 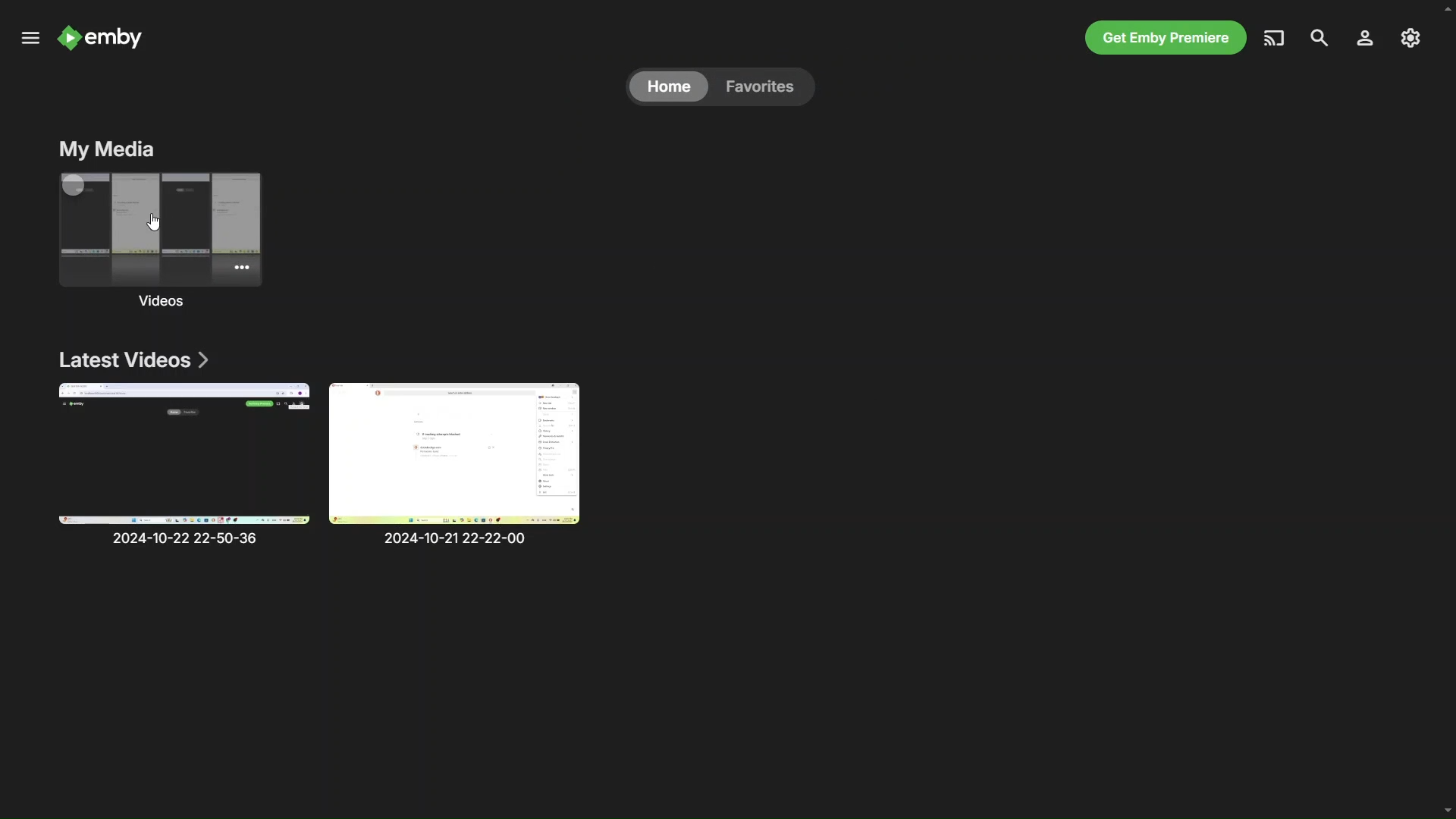 What do you see at coordinates (187, 465) in the screenshot?
I see `video` at bounding box center [187, 465].